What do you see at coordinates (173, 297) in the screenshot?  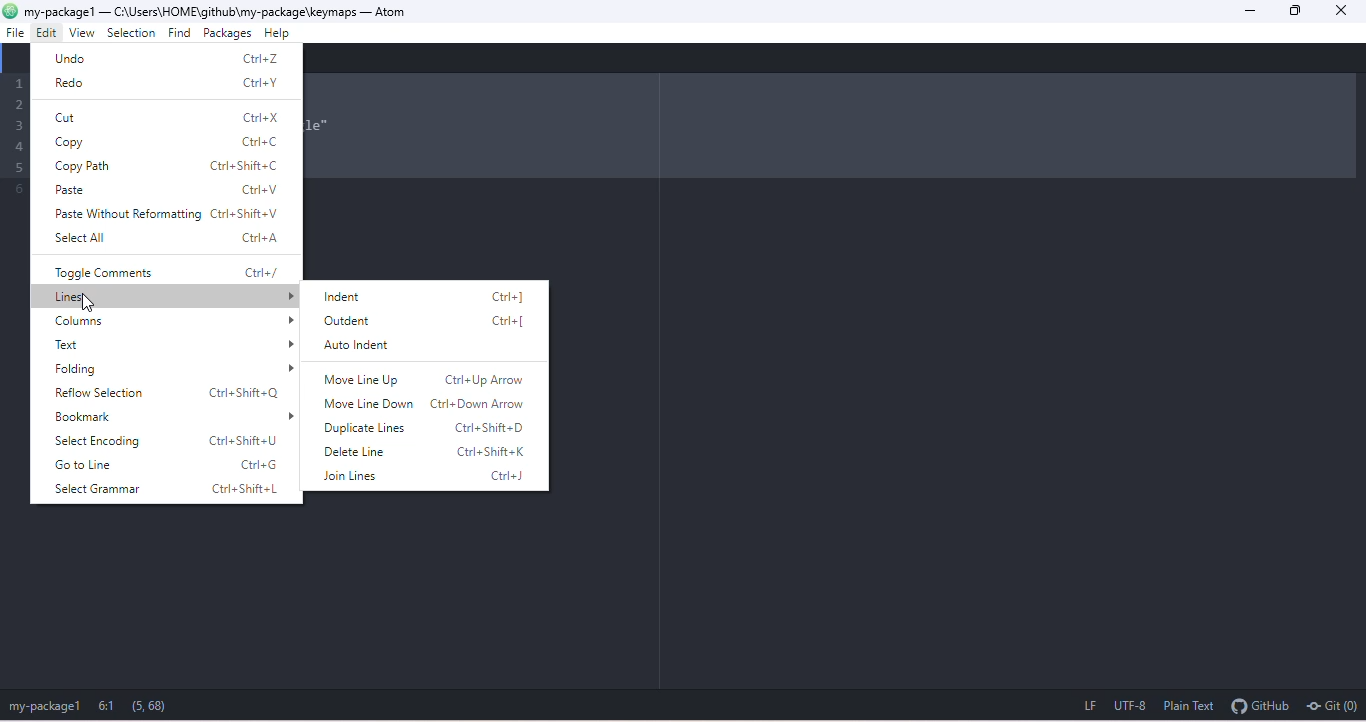 I see `lines` at bounding box center [173, 297].